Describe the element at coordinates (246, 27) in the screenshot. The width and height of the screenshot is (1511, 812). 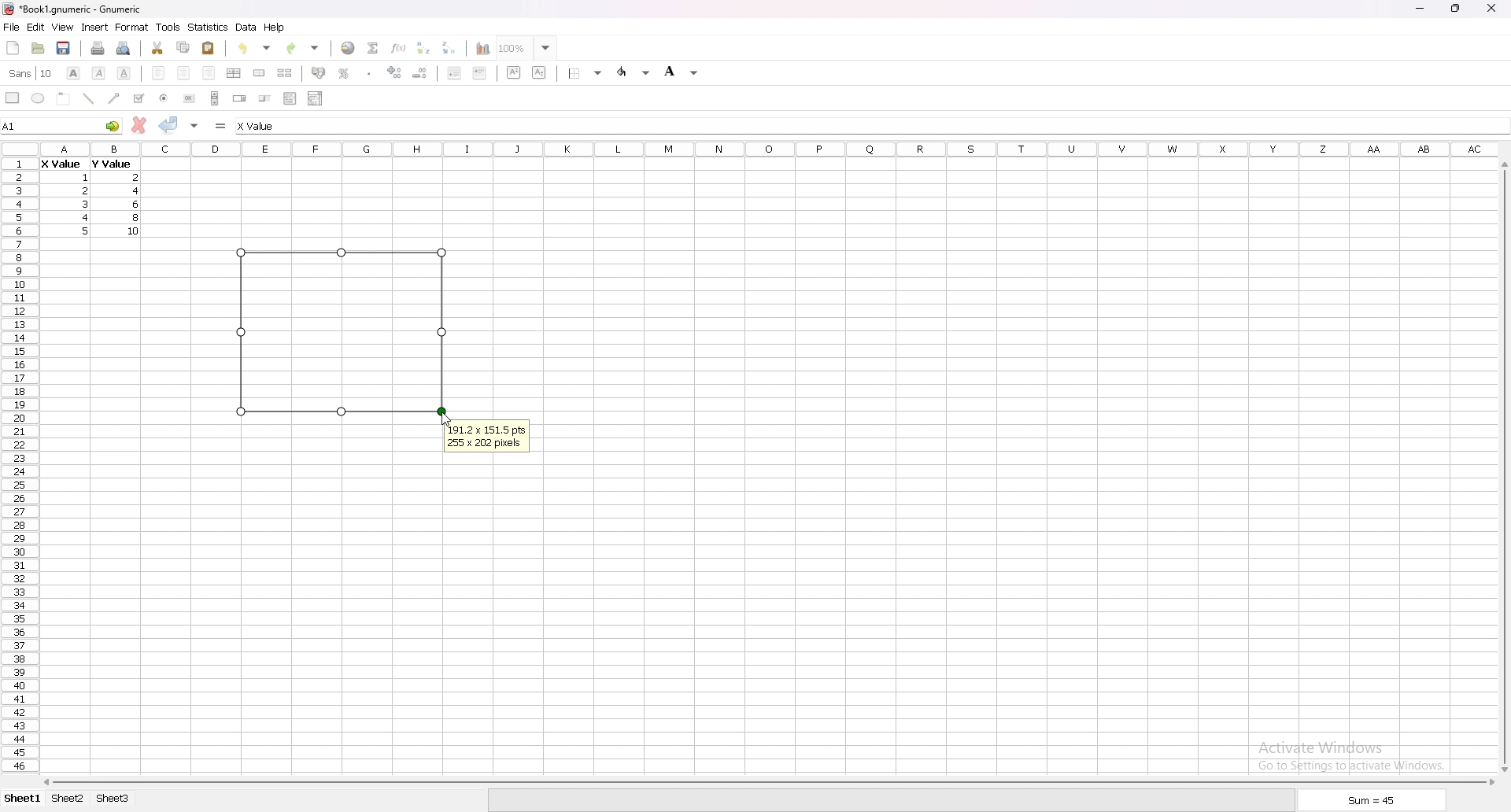
I see `data` at that location.